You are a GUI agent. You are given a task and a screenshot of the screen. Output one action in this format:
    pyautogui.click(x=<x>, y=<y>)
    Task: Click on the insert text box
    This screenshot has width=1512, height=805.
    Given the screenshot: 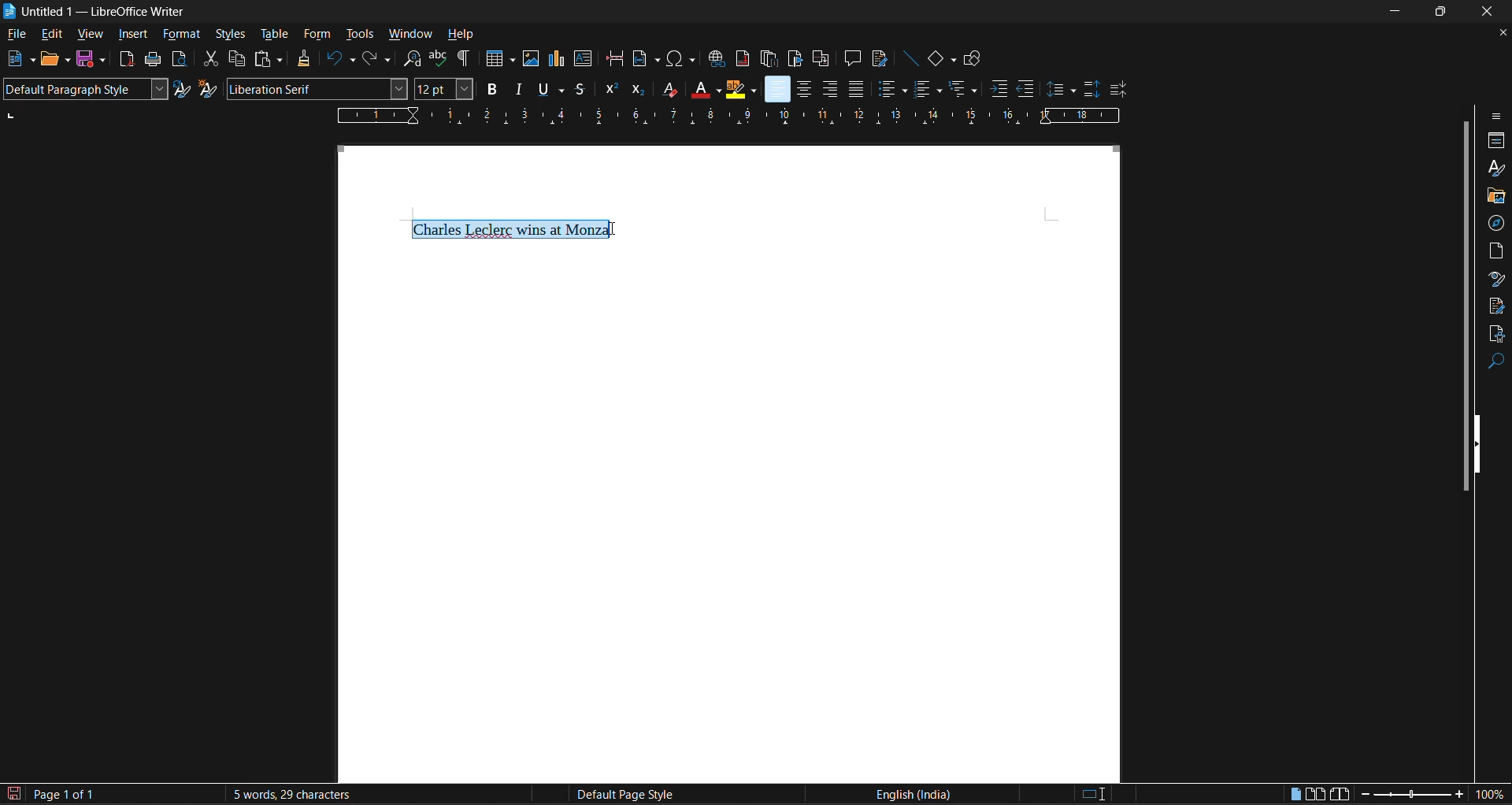 What is the action you would take?
    pyautogui.click(x=585, y=58)
    